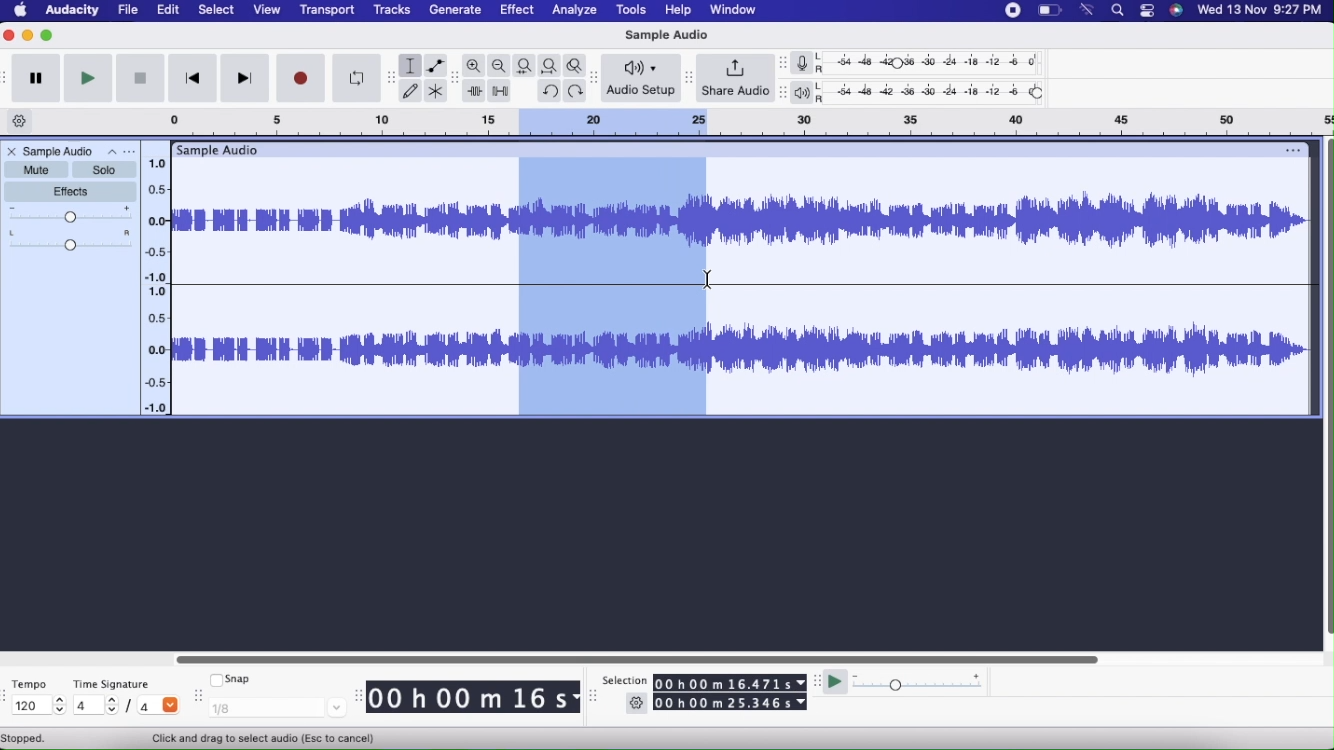 The image size is (1334, 750). Describe the element at coordinates (1176, 10) in the screenshot. I see `app icon` at that location.